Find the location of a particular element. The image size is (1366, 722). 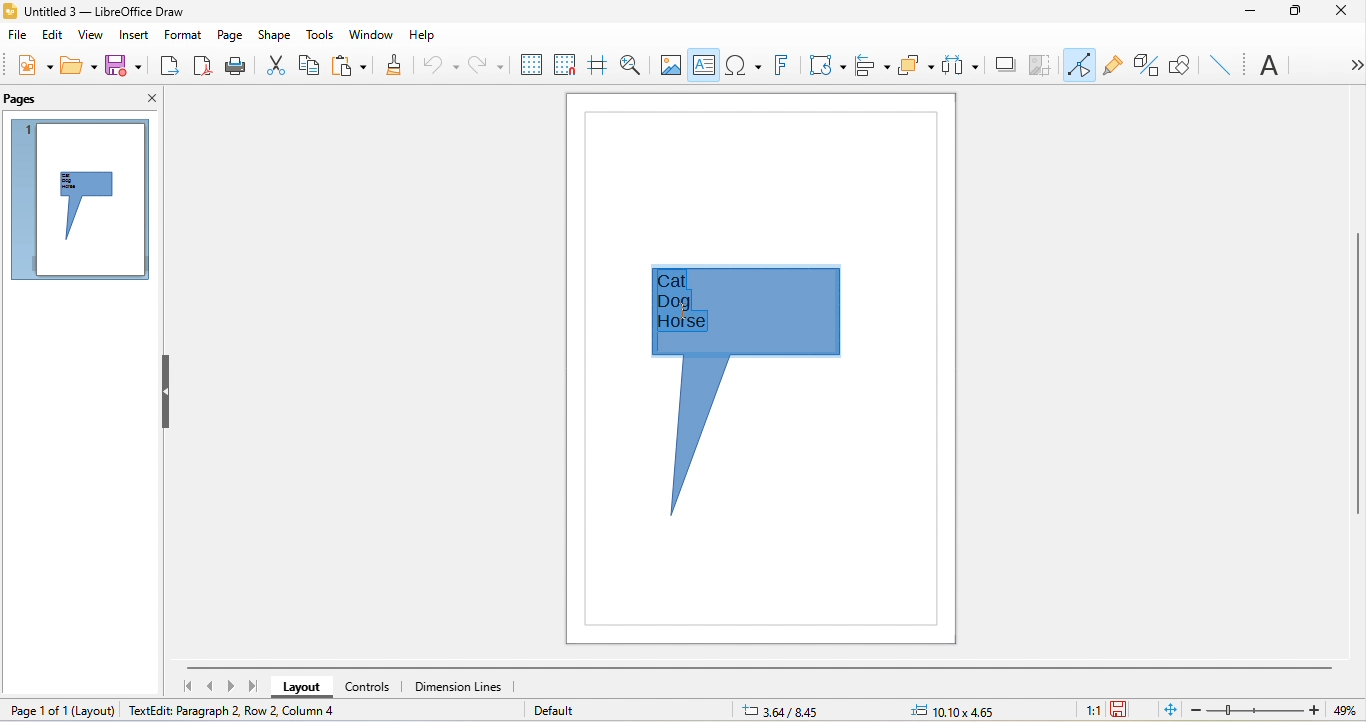

pages is located at coordinates (25, 98).